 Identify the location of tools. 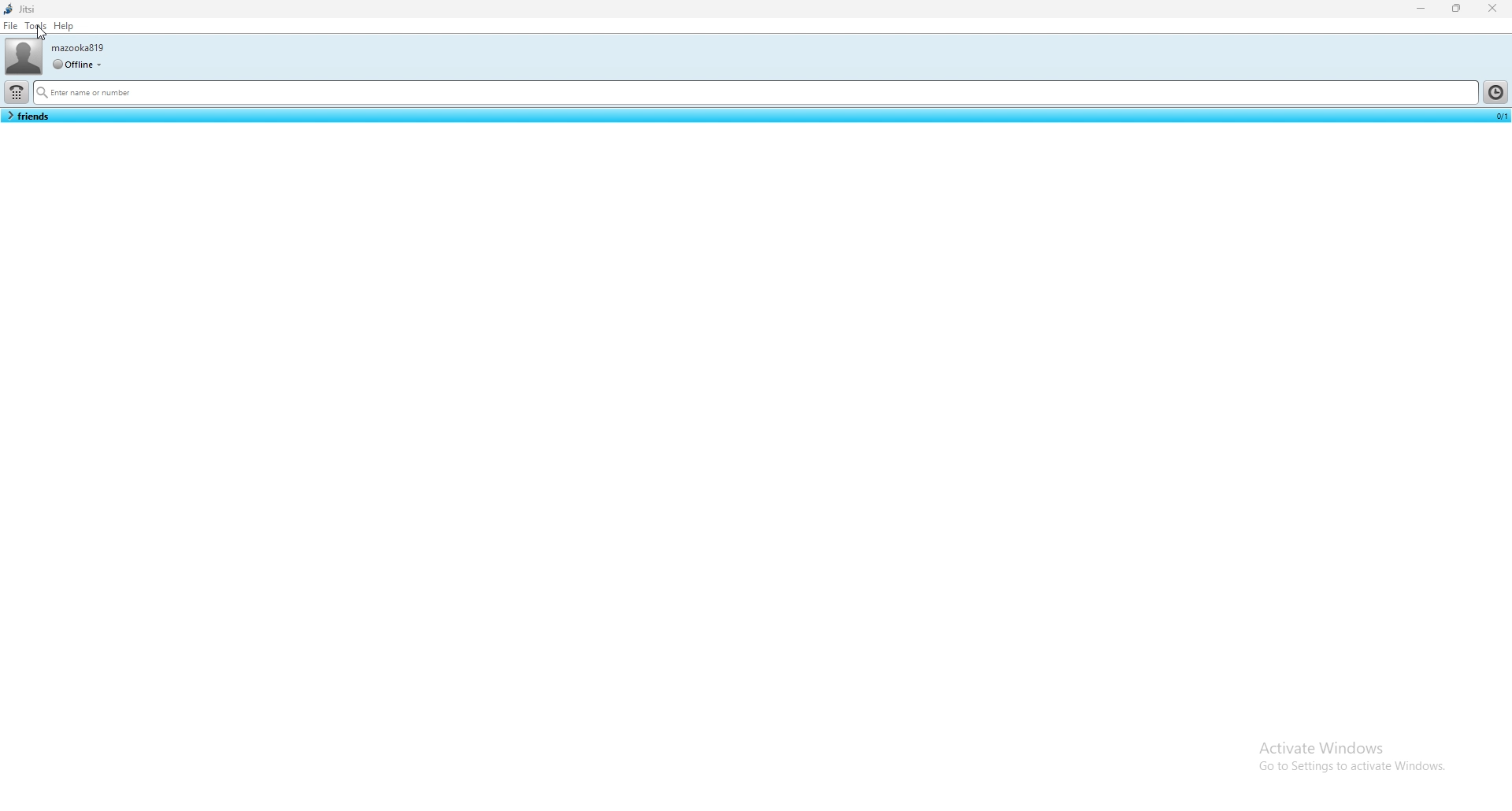
(35, 25).